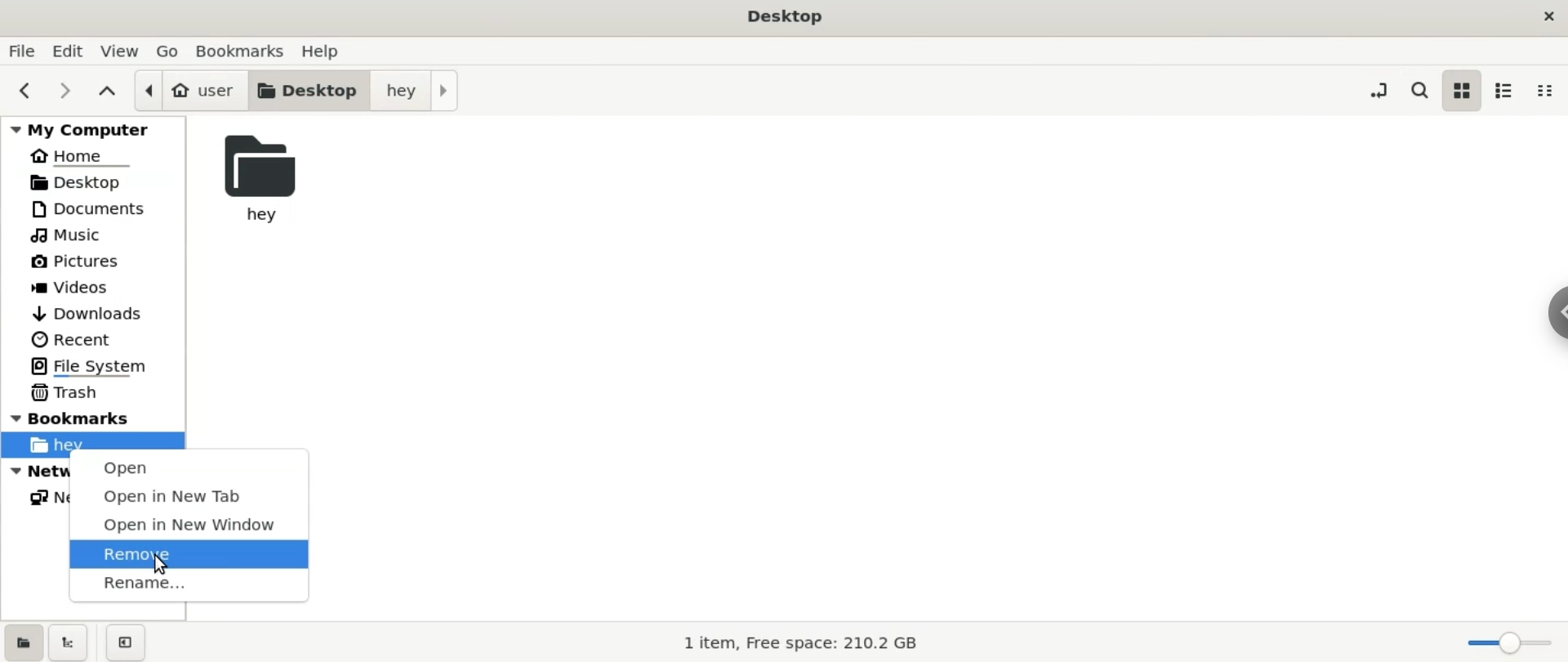 The height and width of the screenshot is (662, 1568). I want to click on show treeview, so click(72, 642).